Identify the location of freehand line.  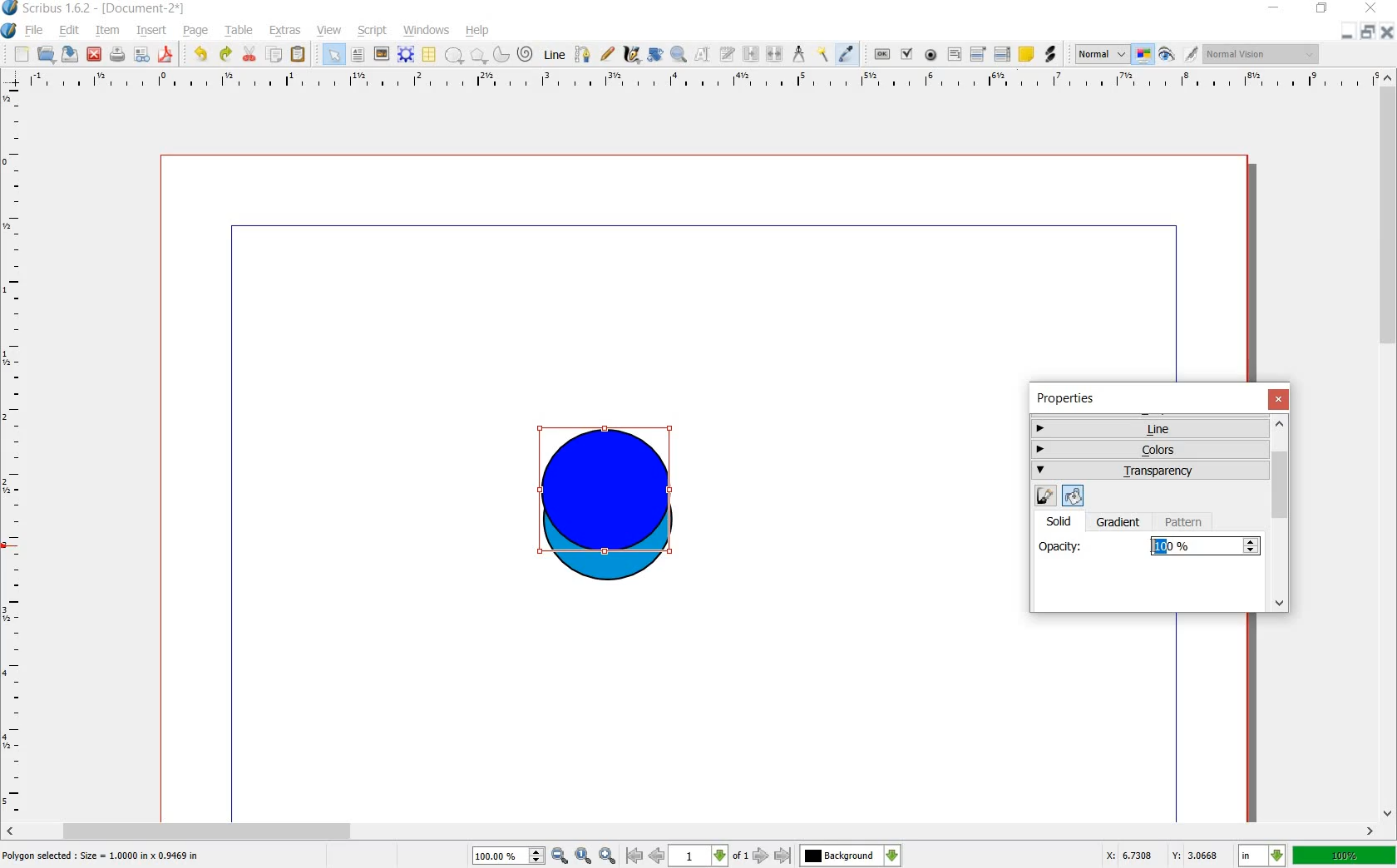
(609, 54).